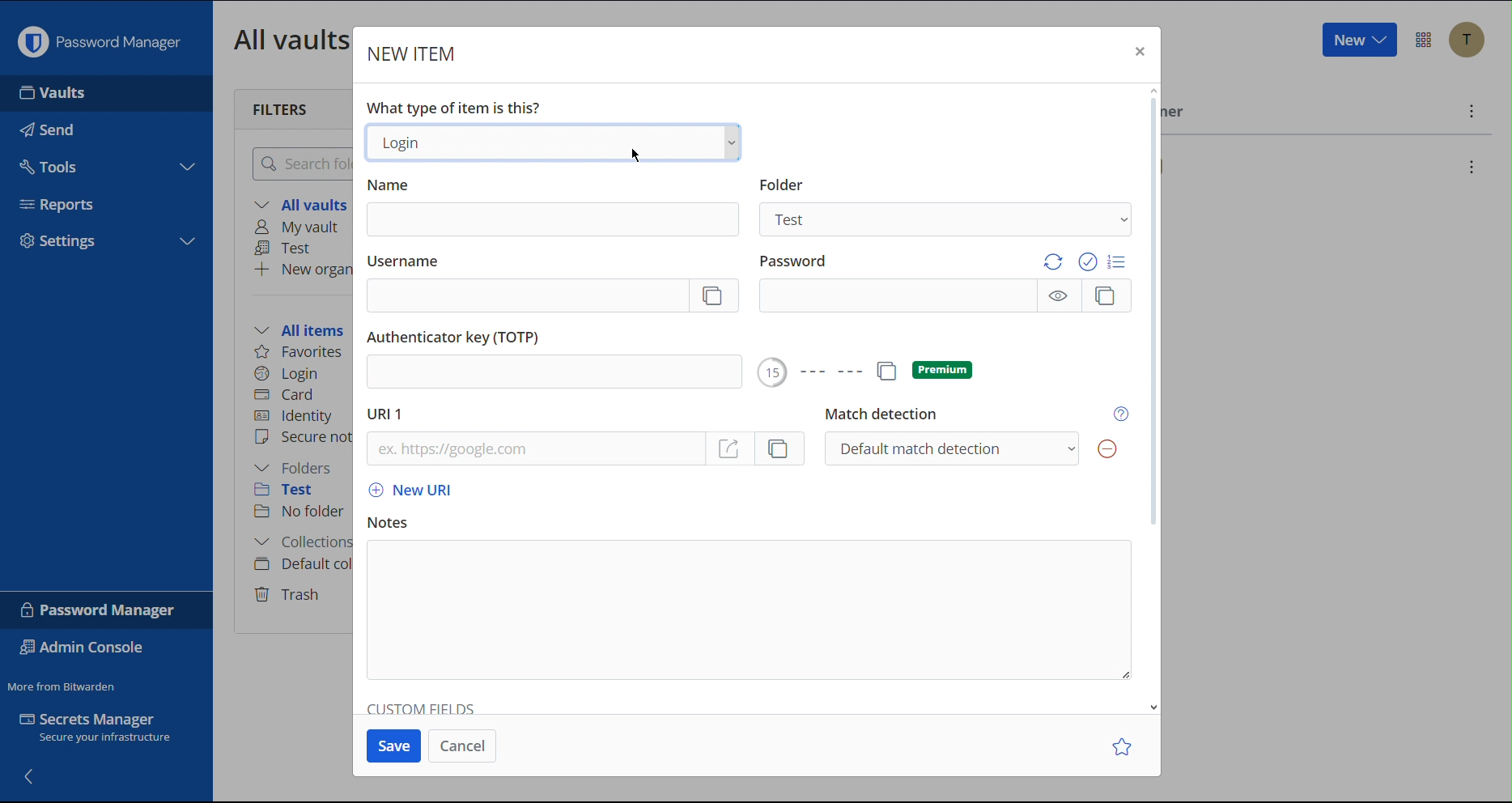 The image size is (1512, 803). What do you see at coordinates (396, 745) in the screenshot?
I see `Save` at bounding box center [396, 745].